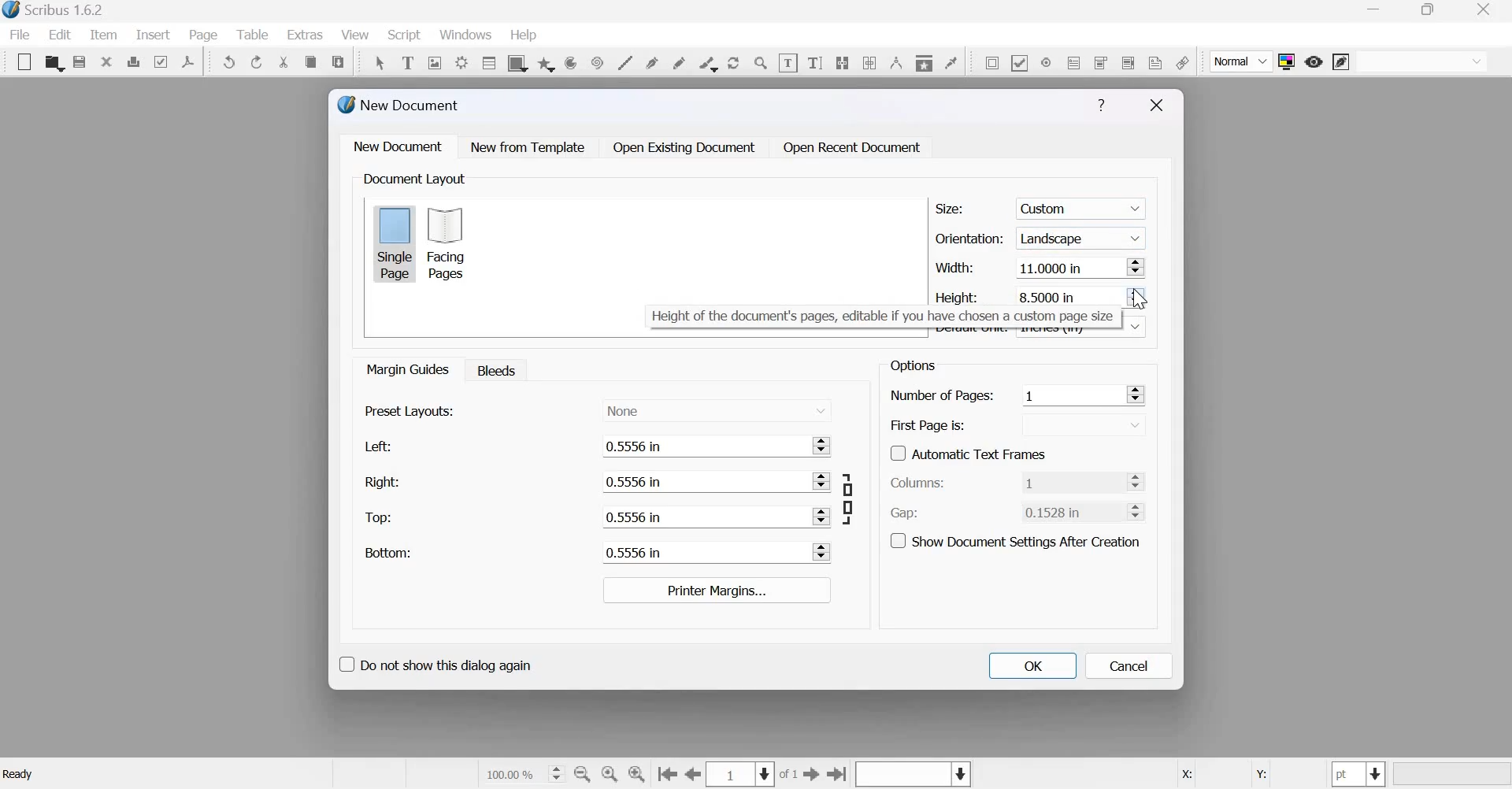 The image size is (1512, 789). What do you see at coordinates (407, 61) in the screenshot?
I see `Text frame` at bounding box center [407, 61].